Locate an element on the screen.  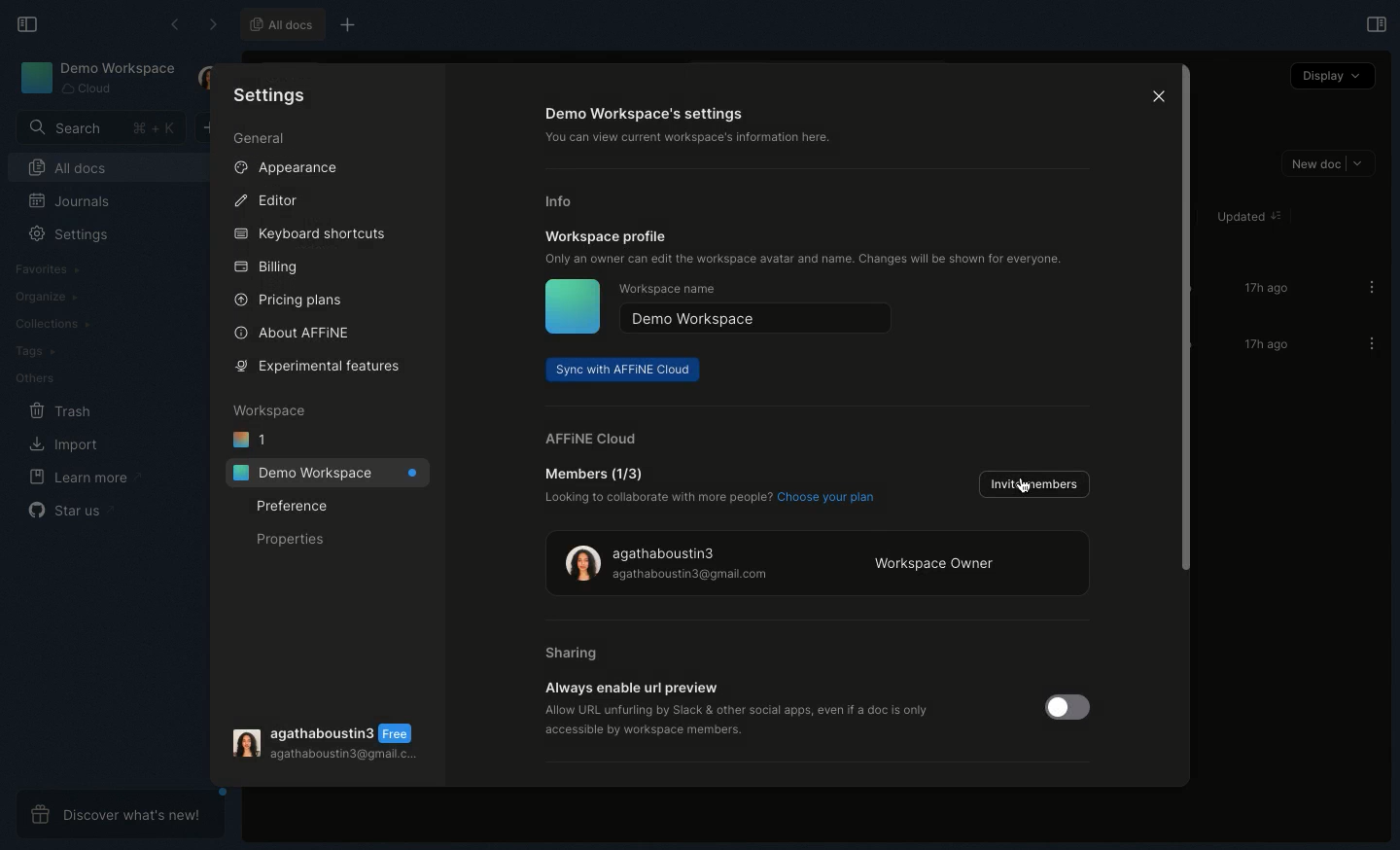
Open right panel is located at coordinates (1375, 24).